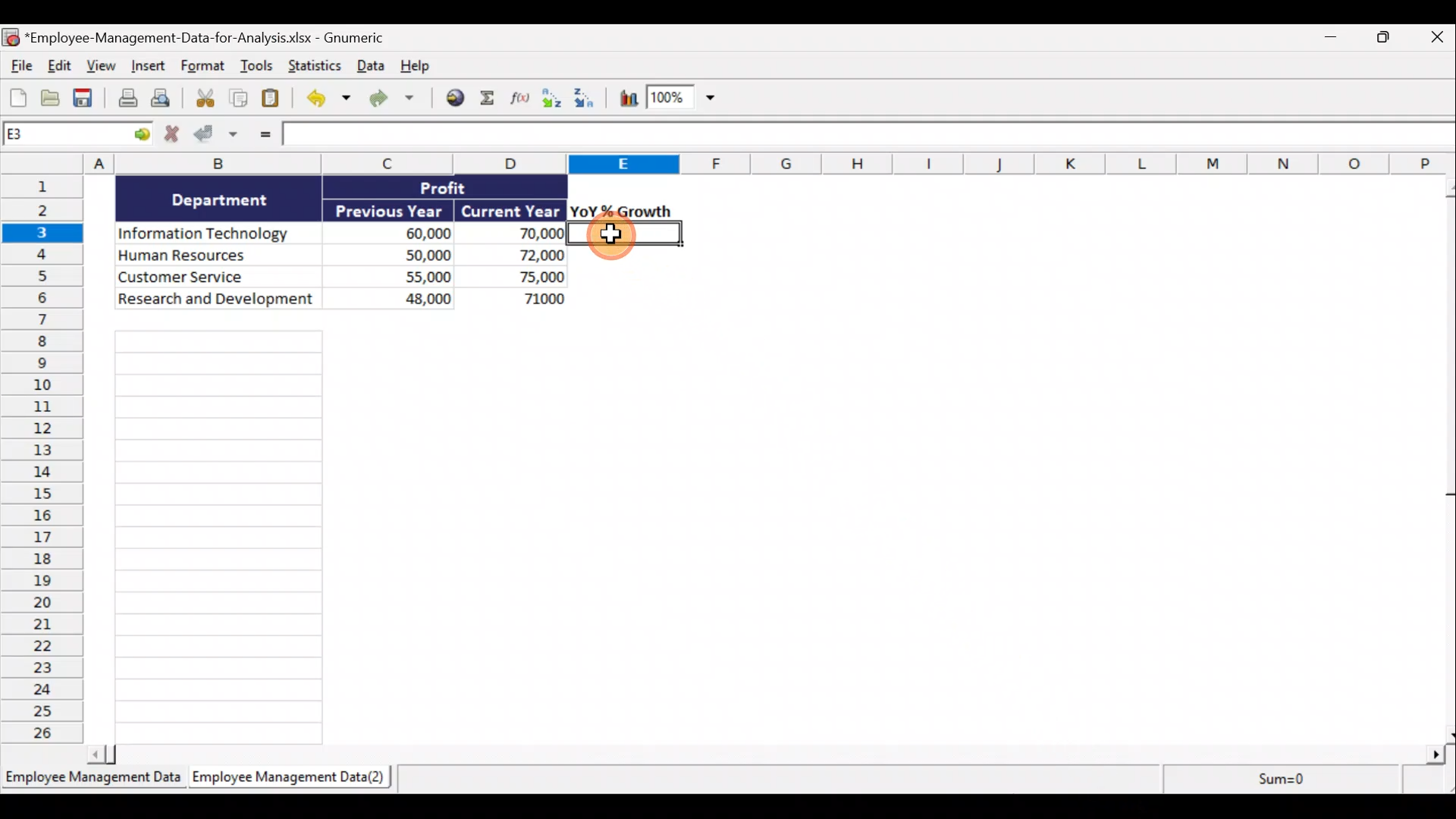 This screenshot has width=1456, height=819. I want to click on Cells, so click(220, 537).